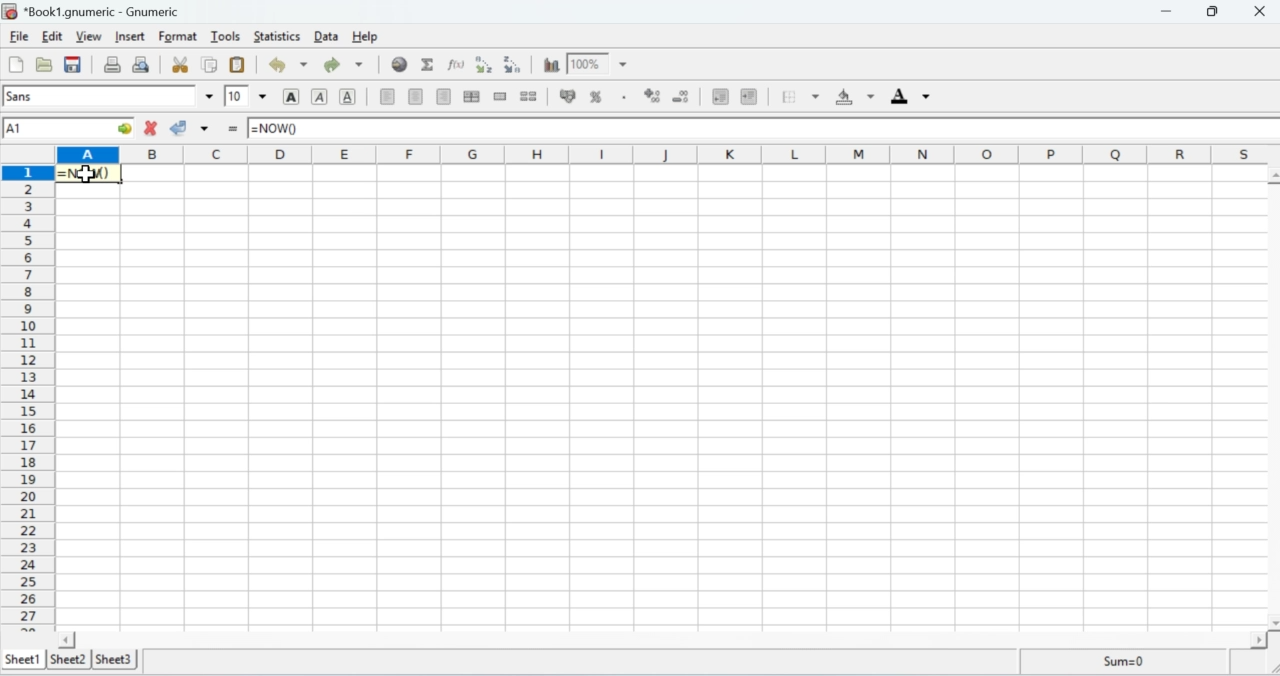 This screenshot has height=676, width=1280. Describe the element at coordinates (430, 66) in the screenshot. I see `Sum into the current cell` at that location.